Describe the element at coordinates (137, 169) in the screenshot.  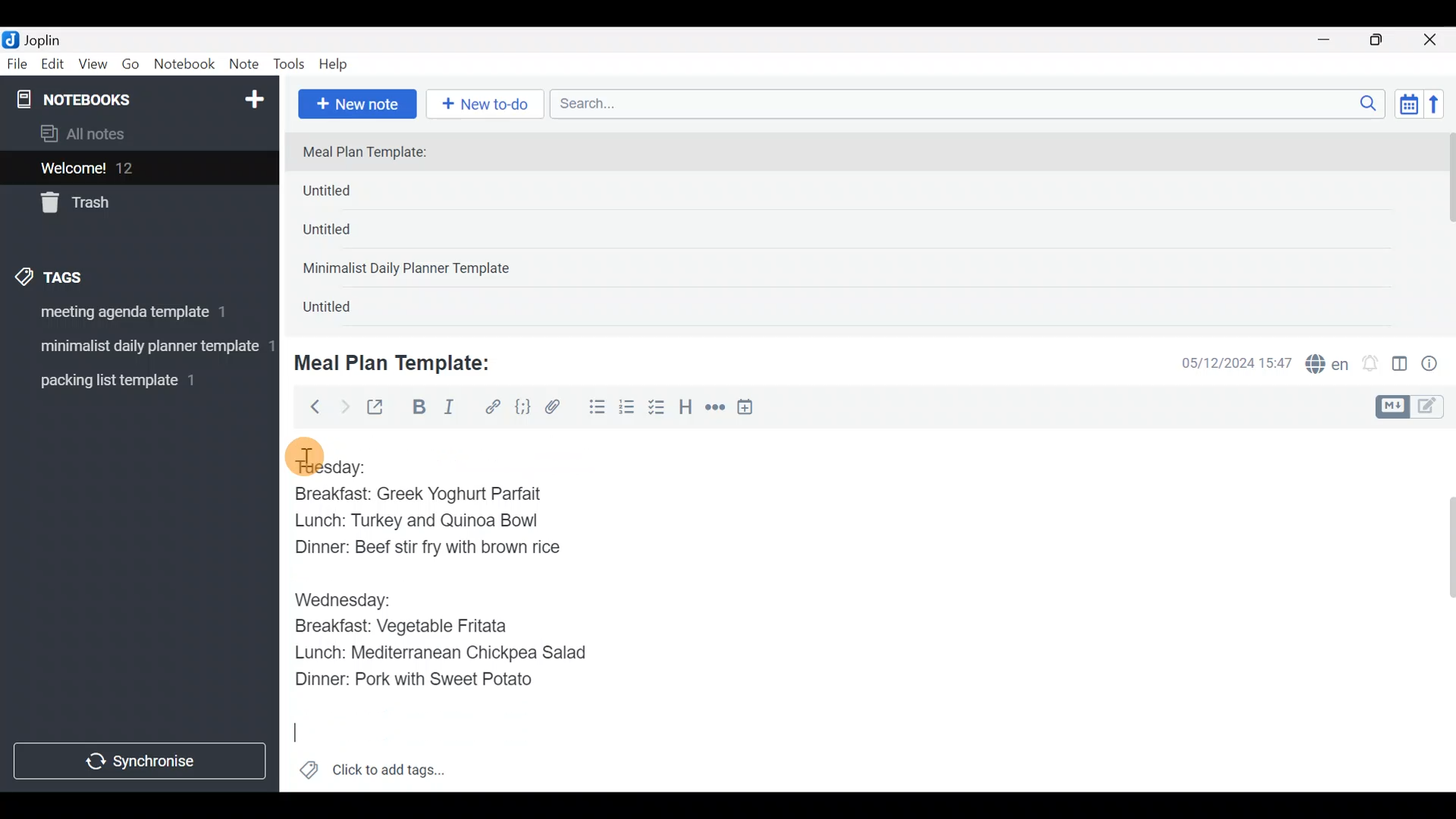
I see `Welcome!` at that location.